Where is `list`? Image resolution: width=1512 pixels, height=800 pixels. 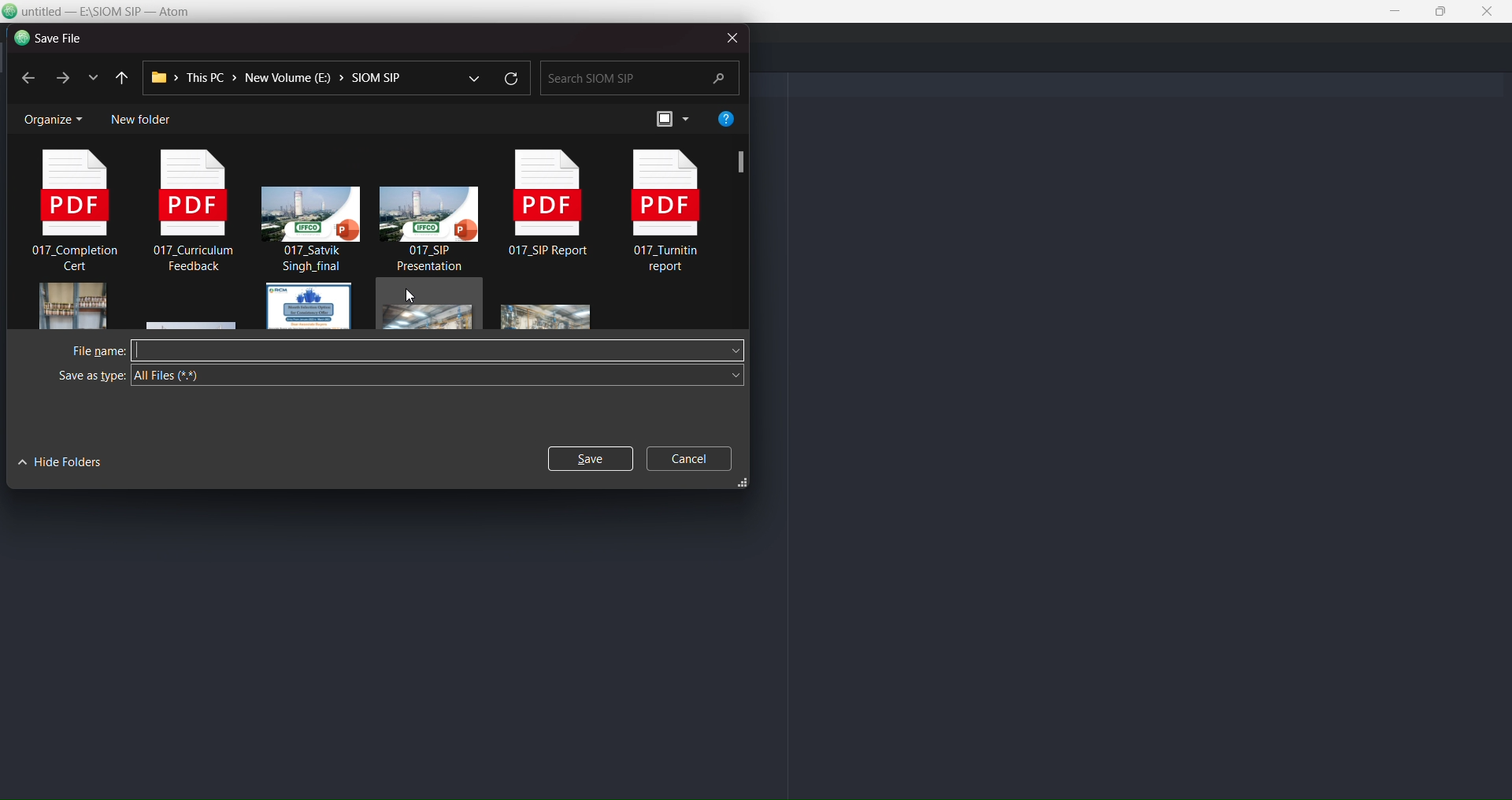 list is located at coordinates (92, 78).